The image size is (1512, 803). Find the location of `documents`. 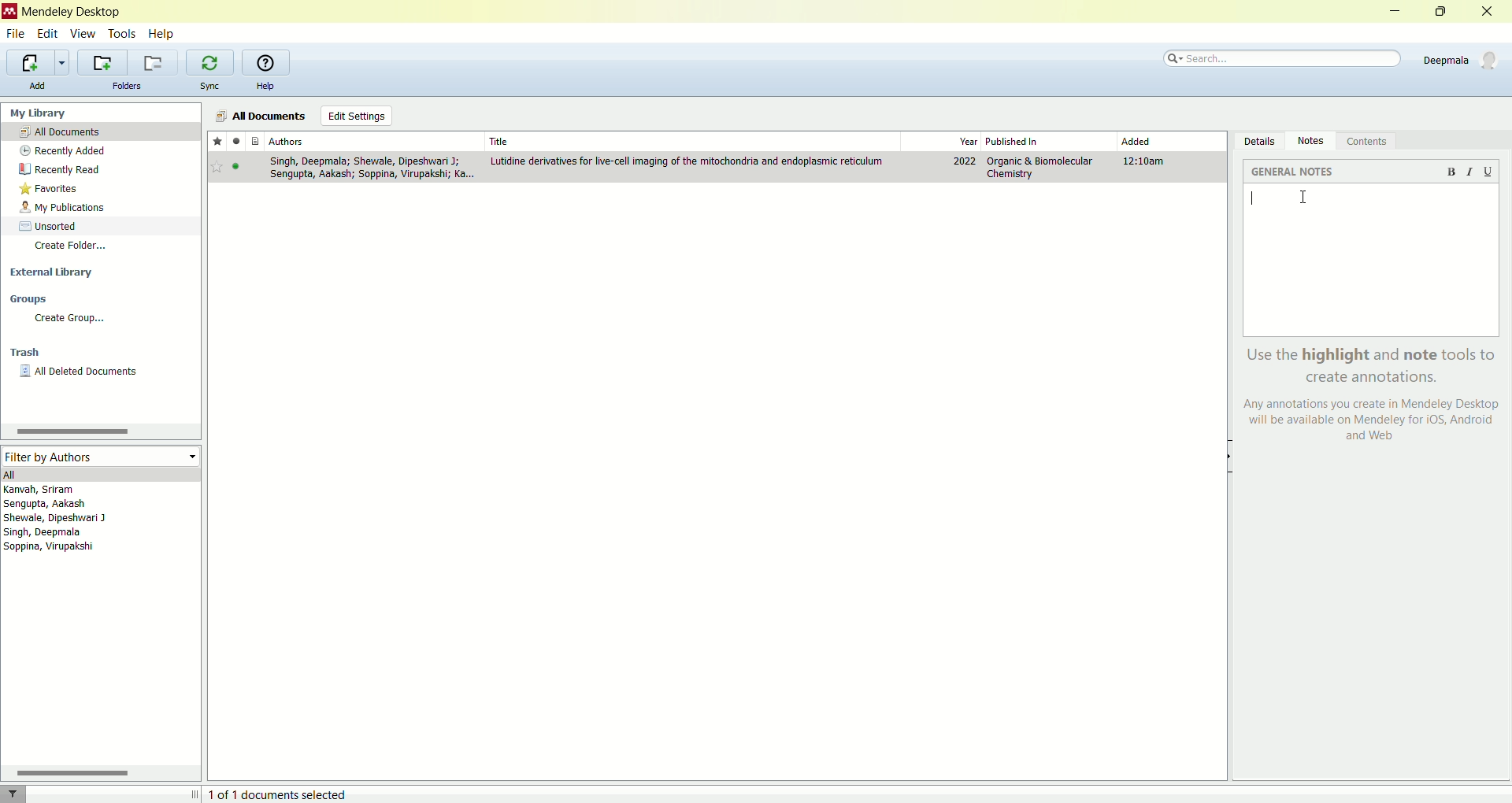

documents is located at coordinates (256, 142).